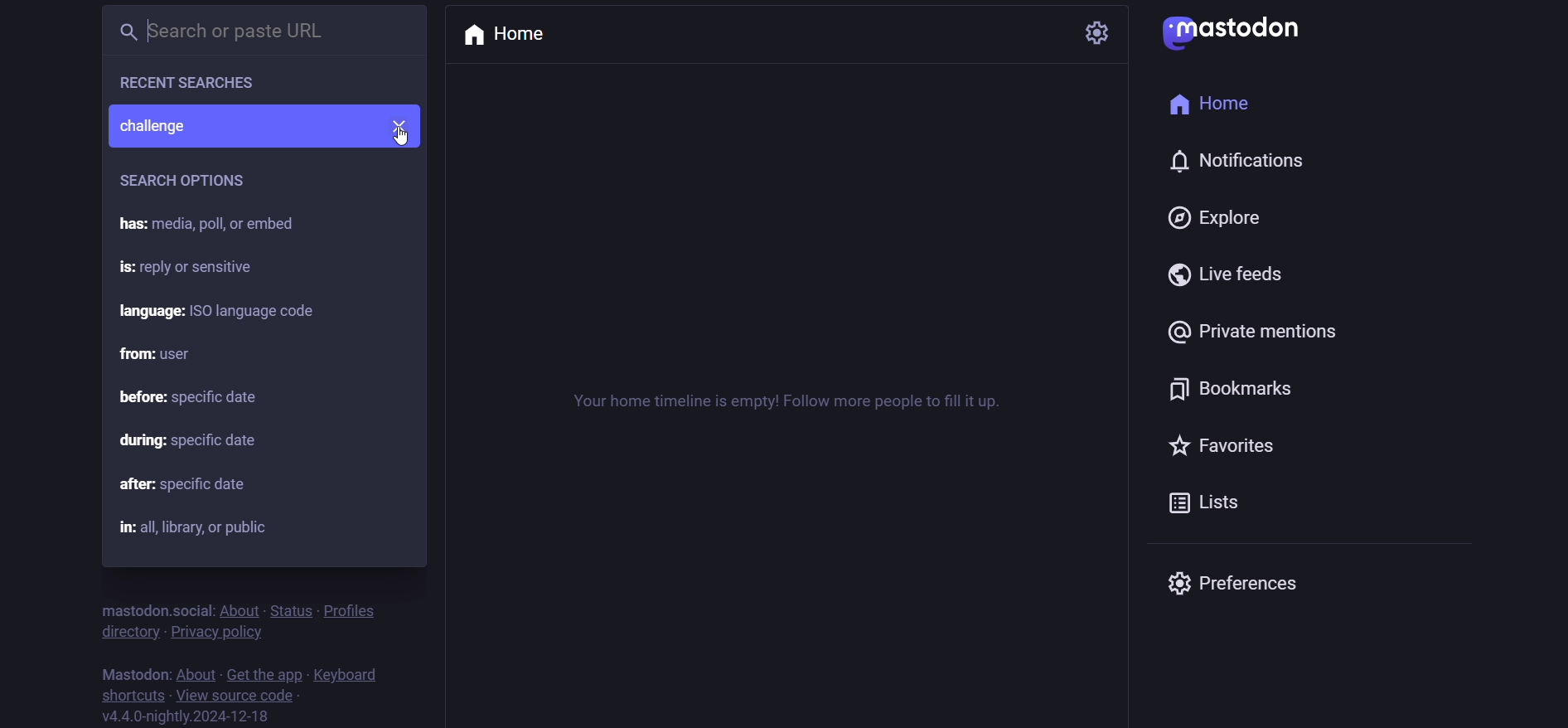 This screenshot has width=1568, height=728. What do you see at coordinates (511, 36) in the screenshot?
I see `home` at bounding box center [511, 36].